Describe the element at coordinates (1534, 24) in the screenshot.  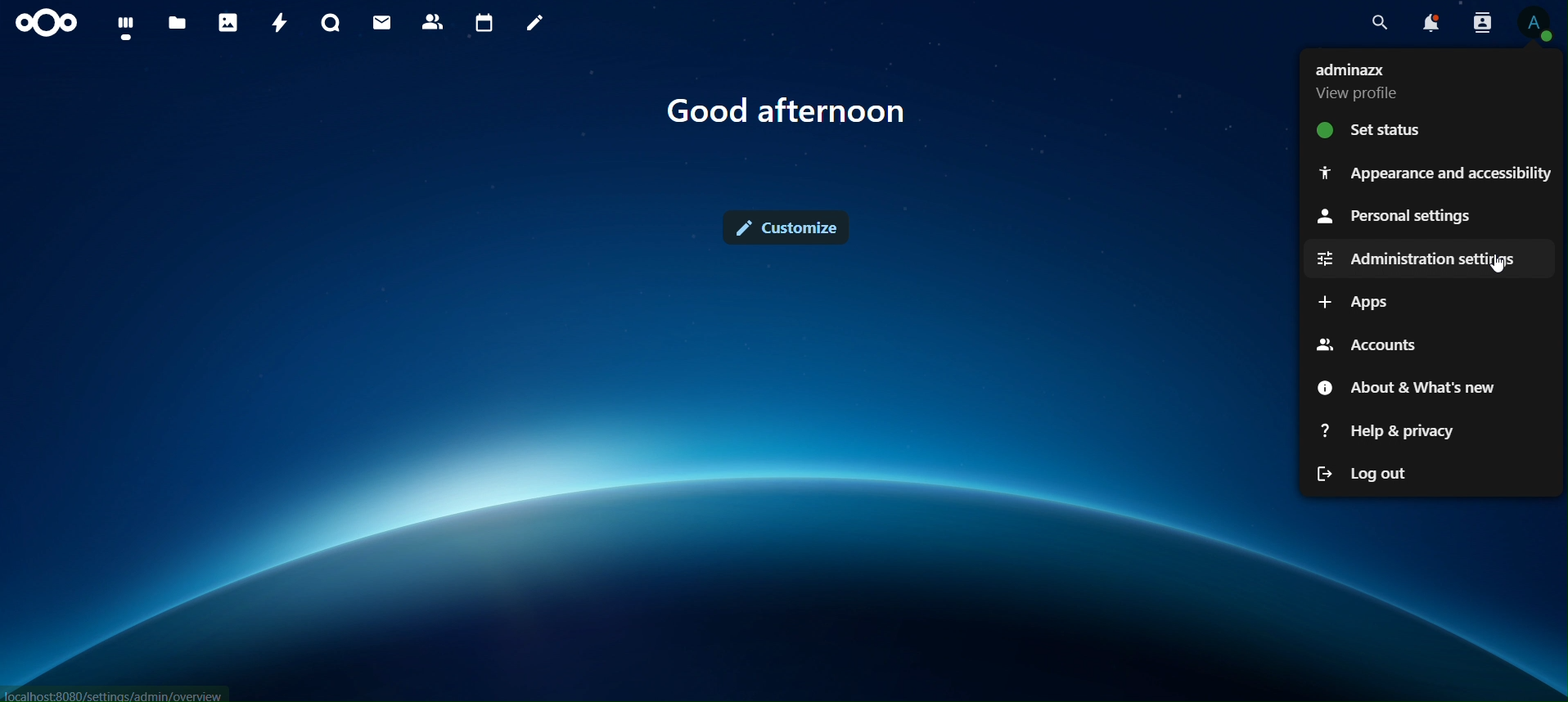
I see `view profile` at that location.